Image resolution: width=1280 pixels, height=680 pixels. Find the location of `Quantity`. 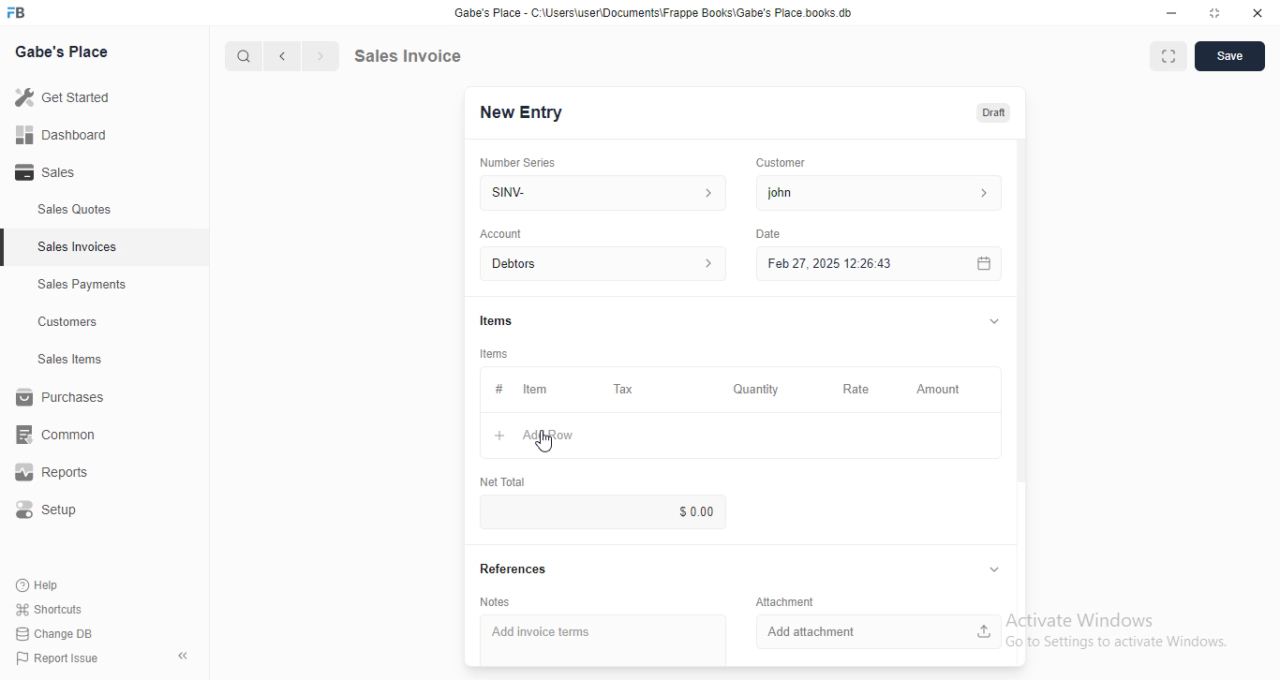

Quantity is located at coordinates (756, 388).